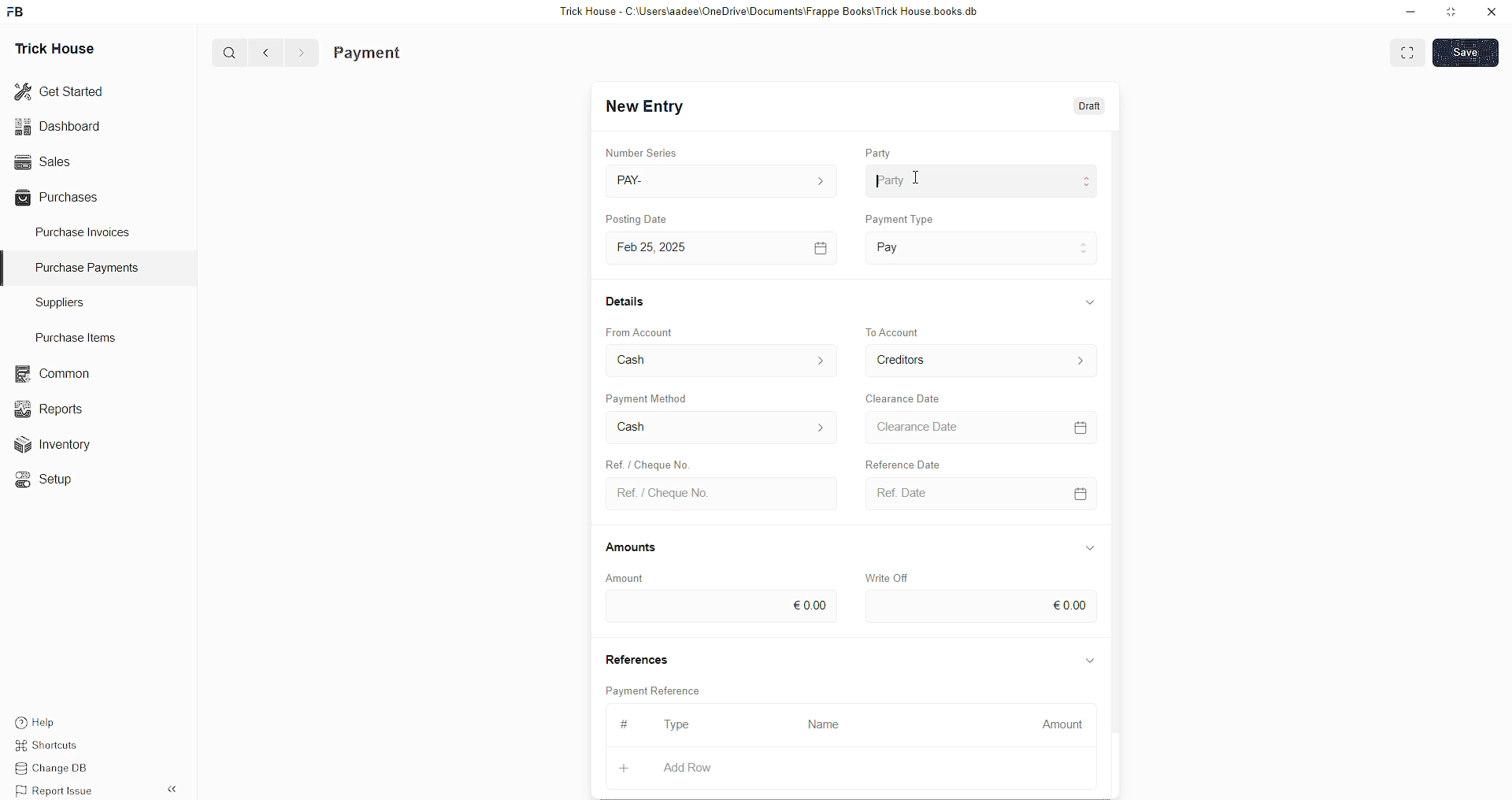 This screenshot has height=800, width=1512. I want to click on Amount, so click(625, 577).